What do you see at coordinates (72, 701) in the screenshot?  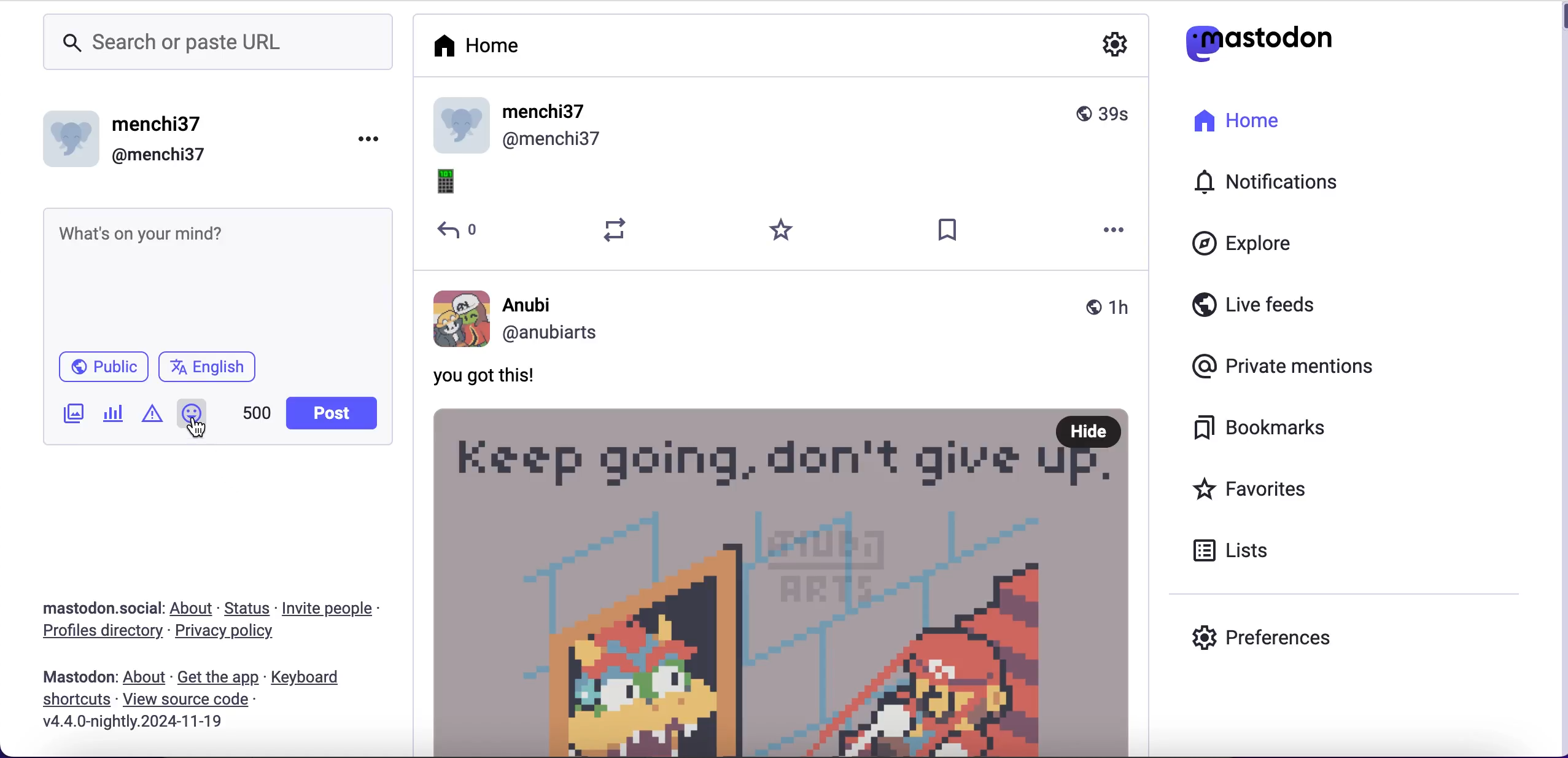 I see `shortcuts` at bounding box center [72, 701].